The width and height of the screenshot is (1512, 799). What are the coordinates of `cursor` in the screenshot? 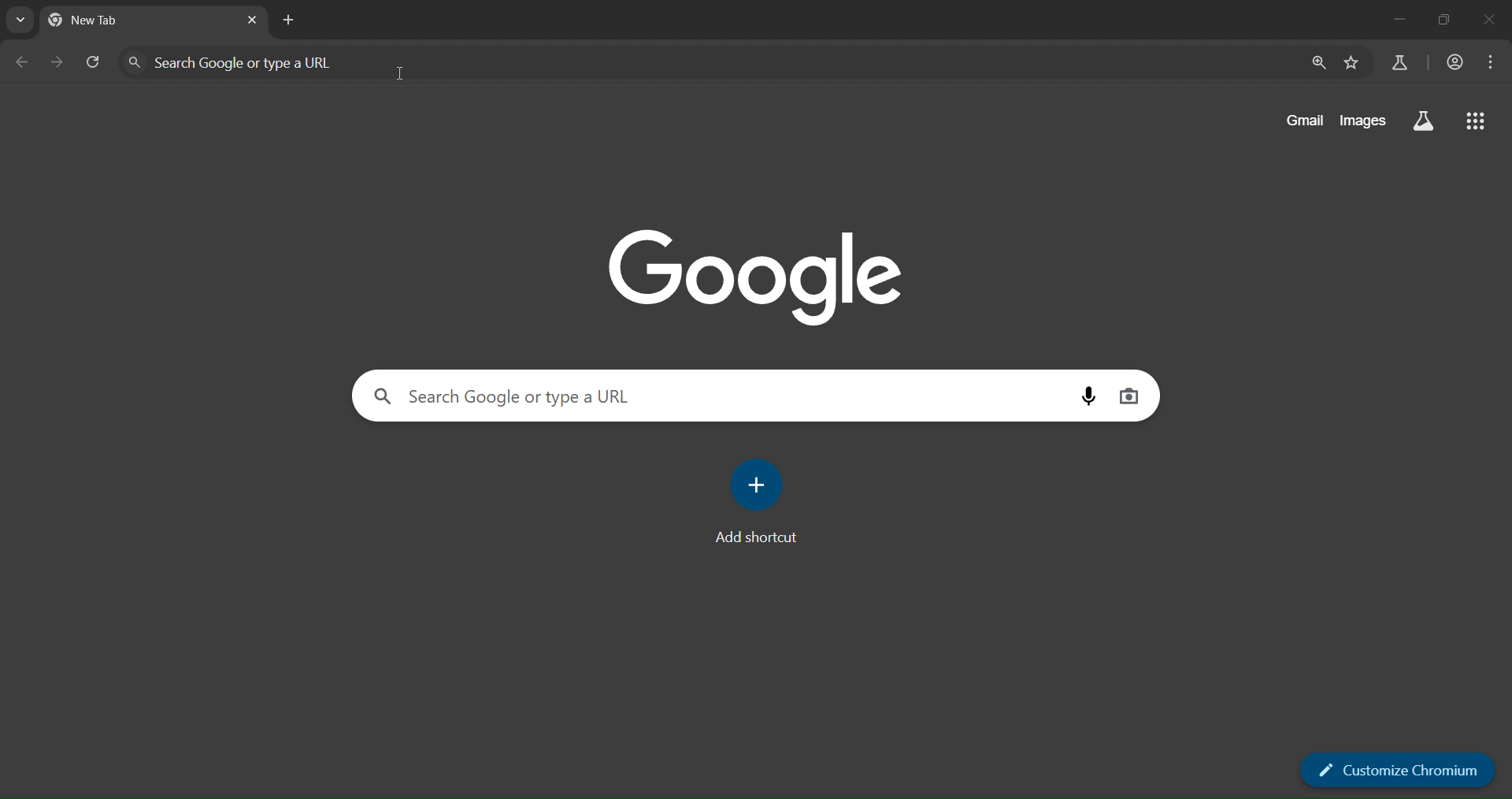 It's located at (401, 72).